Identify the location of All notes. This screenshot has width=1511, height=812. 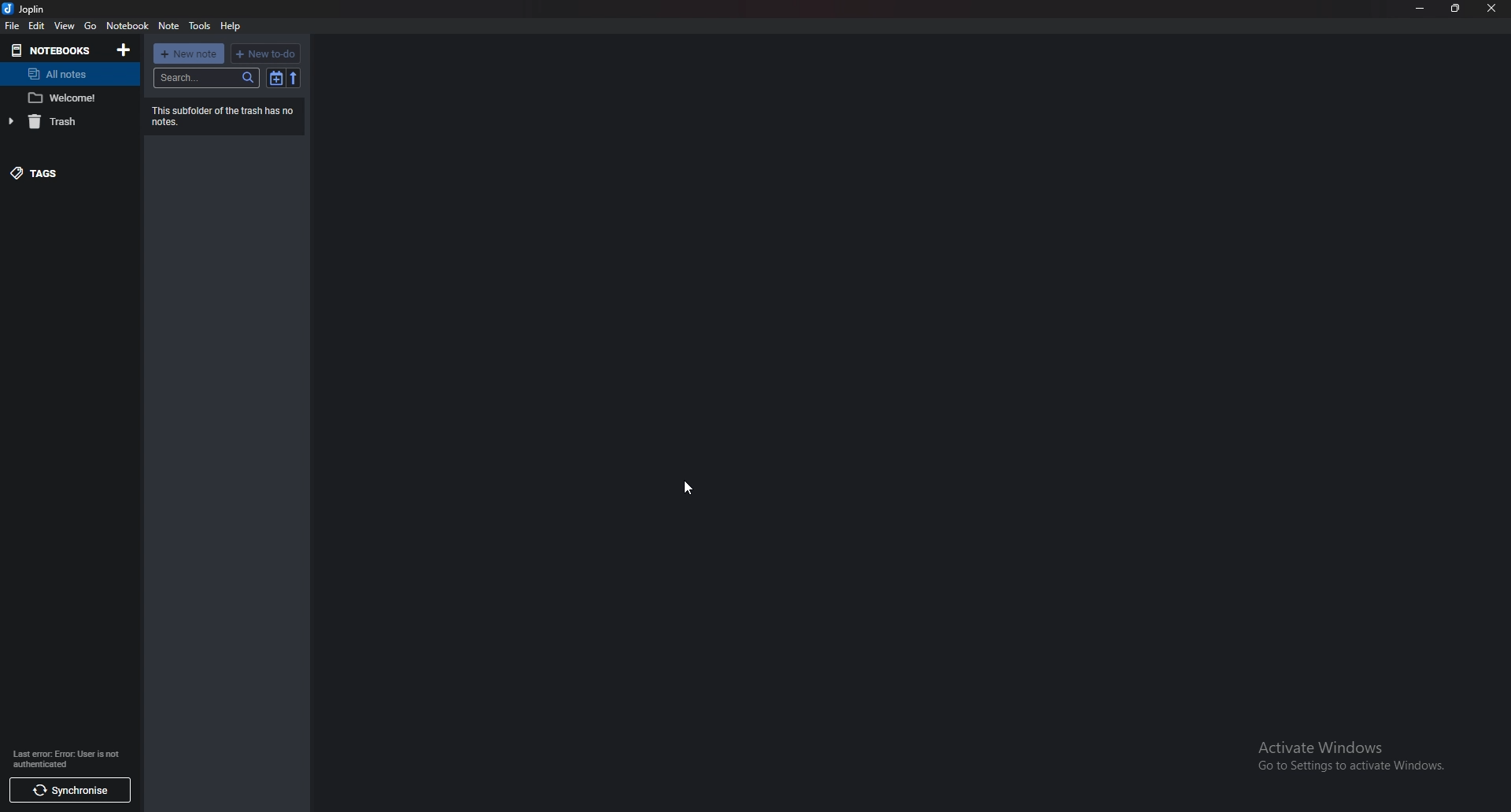
(64, 73).